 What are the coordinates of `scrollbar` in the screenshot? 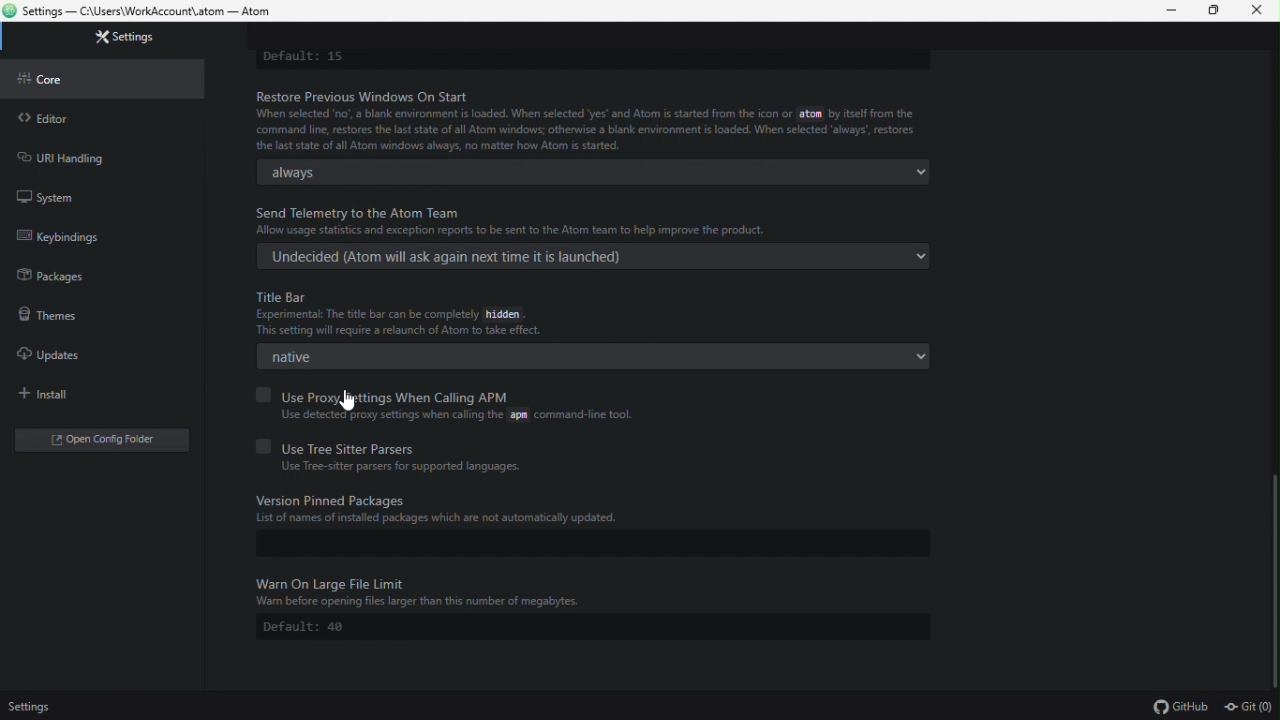 It's located at (1276, 582).